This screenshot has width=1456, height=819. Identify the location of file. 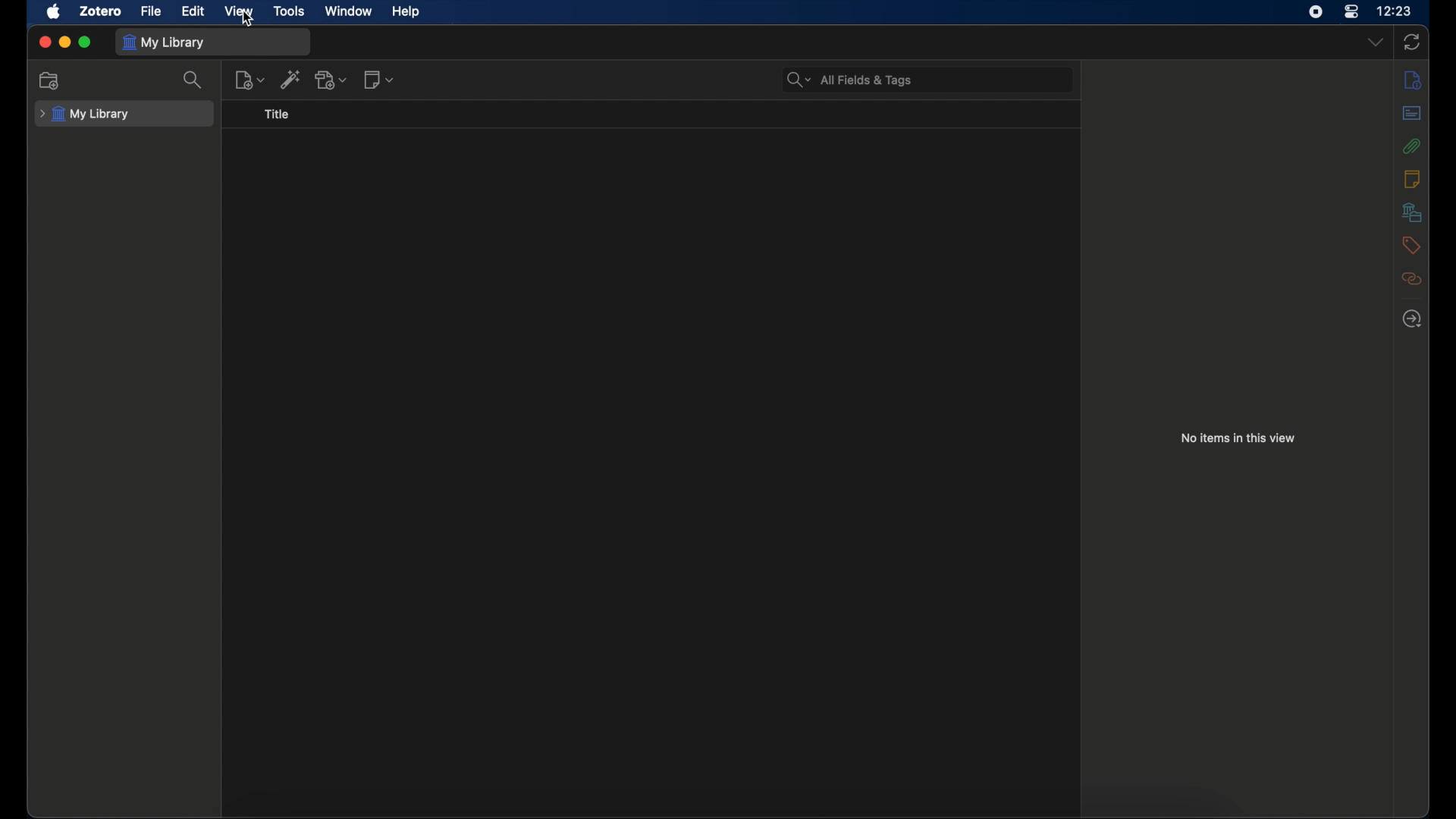
(152, 12).